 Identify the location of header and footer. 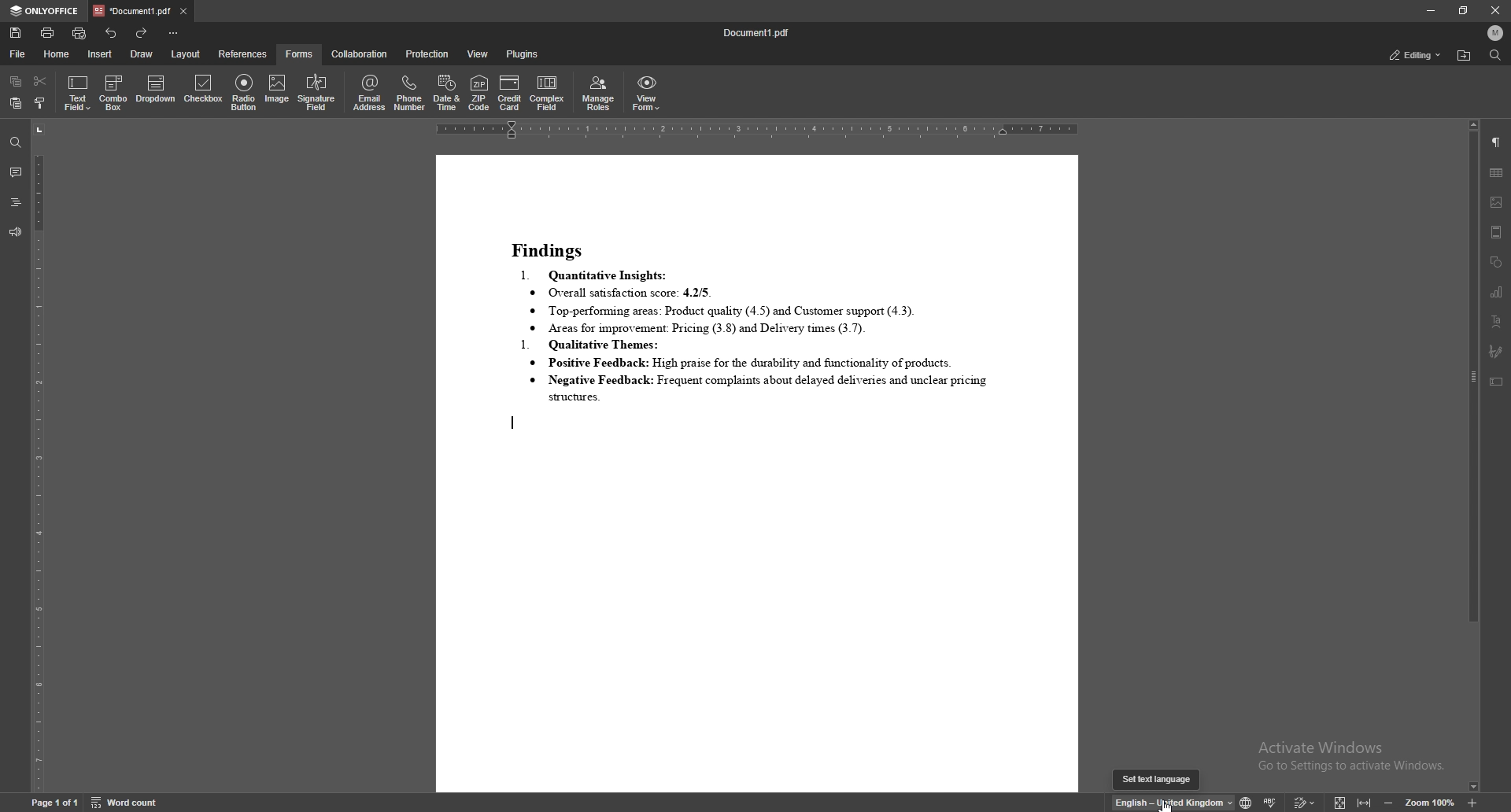
(1497, 232).